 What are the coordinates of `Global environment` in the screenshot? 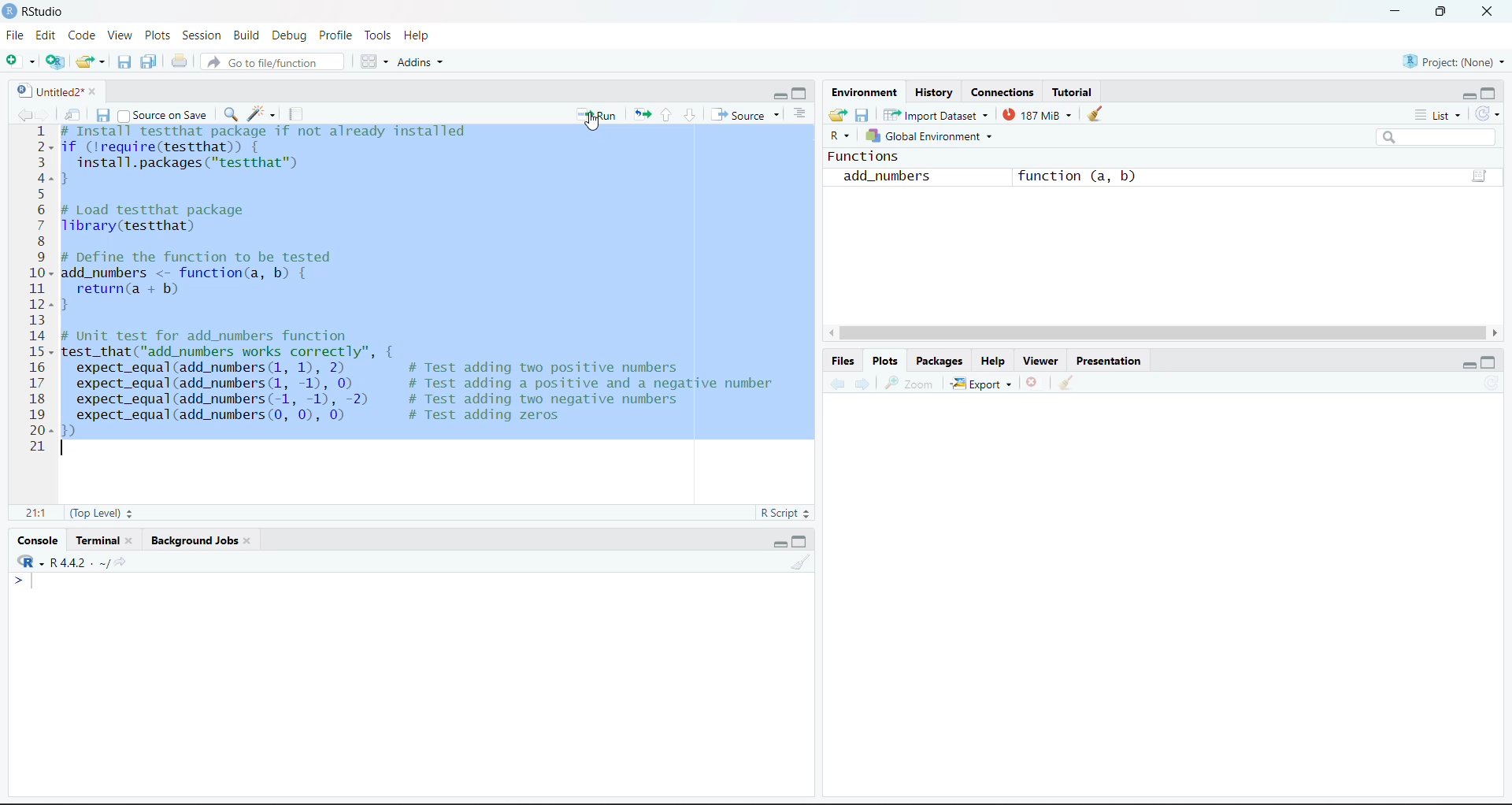 It's located at (932, 135).